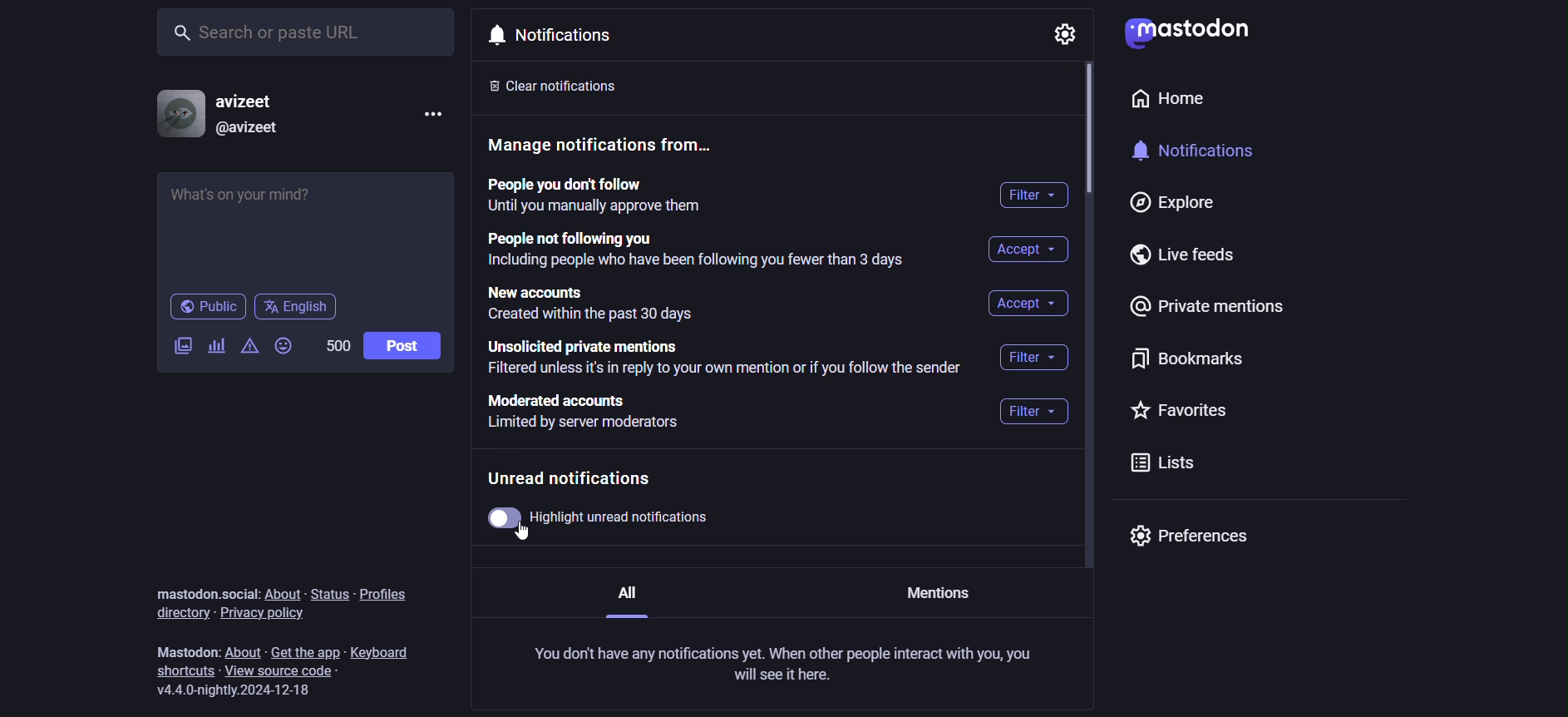 This screenshot has width=1568, height=717. I want to click on add emoji, so click(285, 344).